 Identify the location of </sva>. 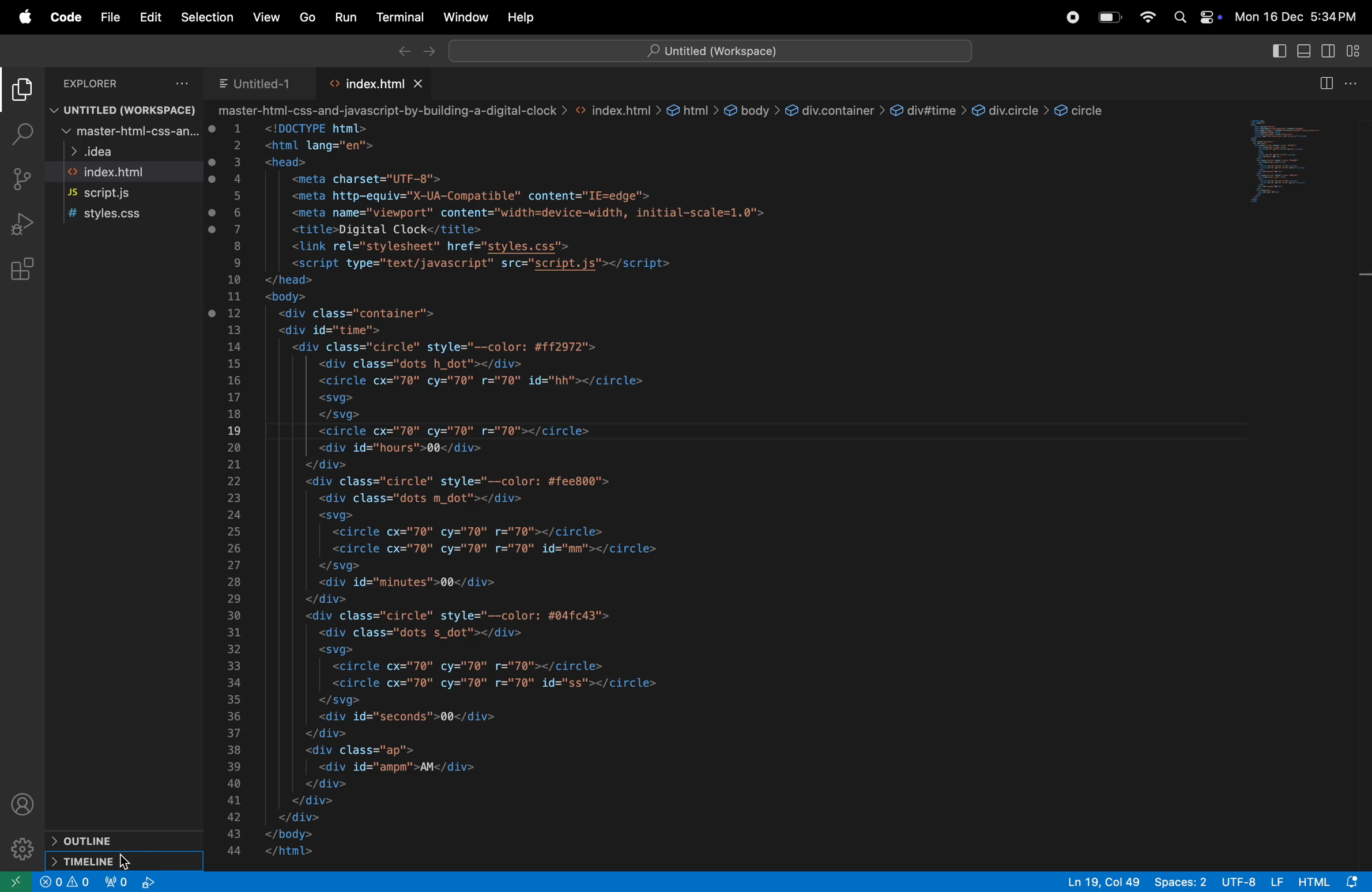
(340, 700).